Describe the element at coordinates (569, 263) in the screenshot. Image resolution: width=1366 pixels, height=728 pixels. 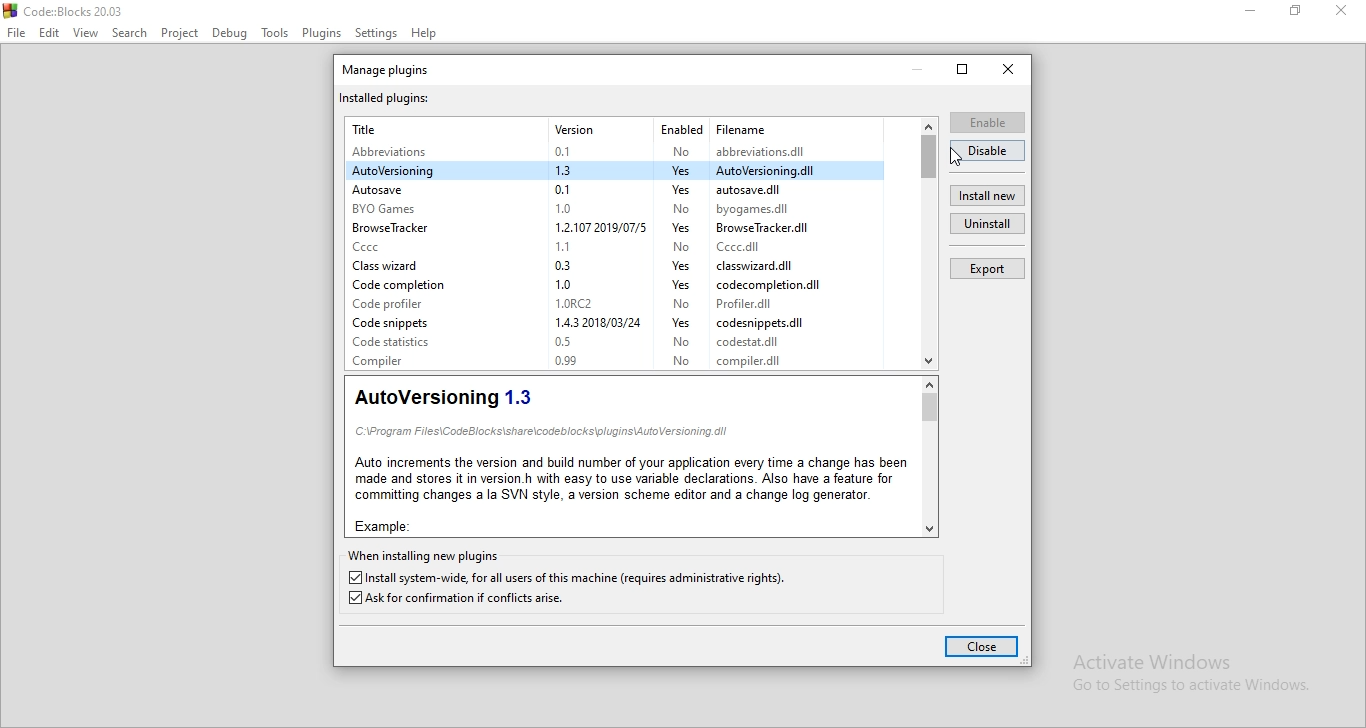
I see `0.3` at that location.